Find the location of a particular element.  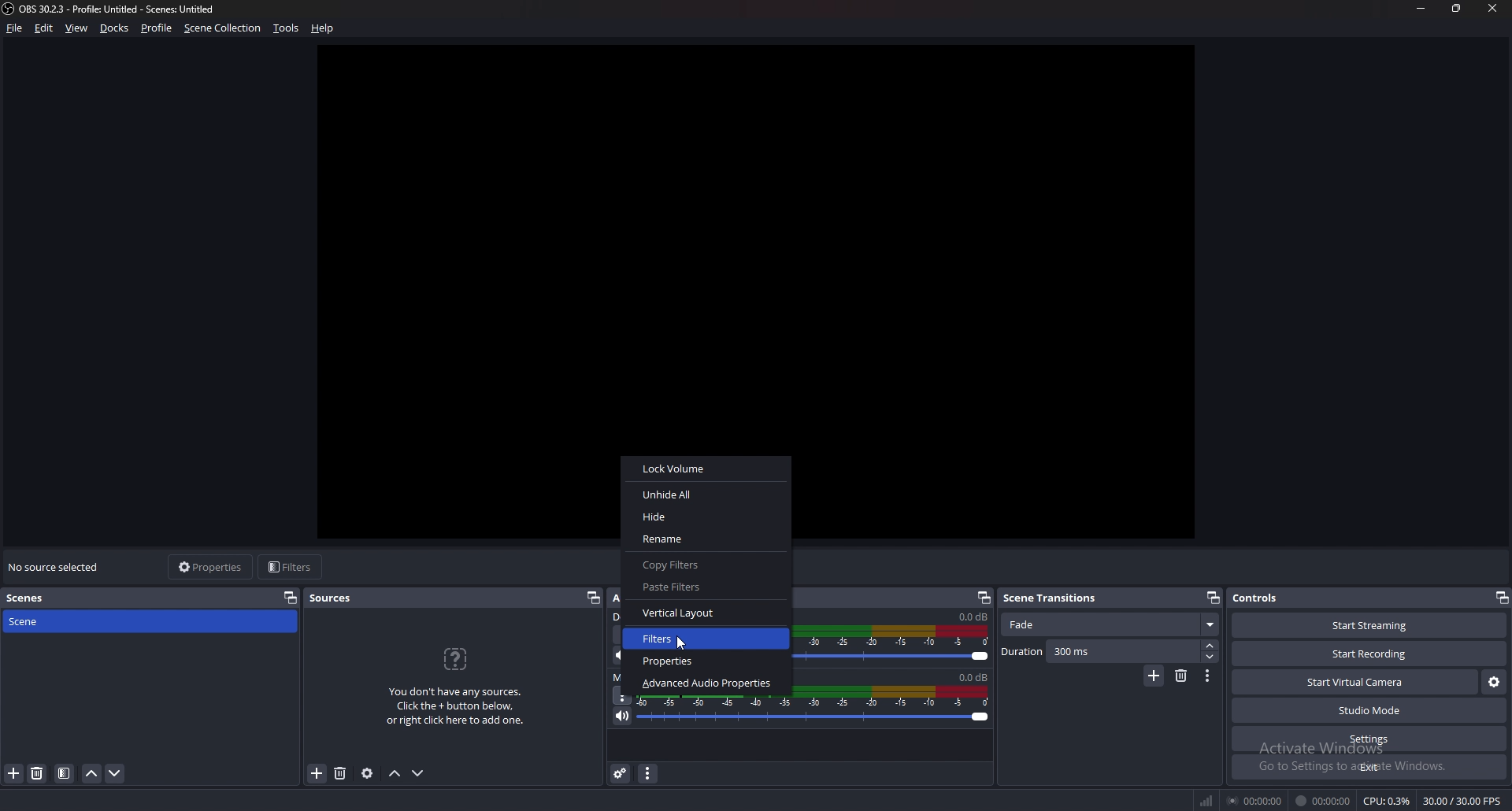

pop out is located at coordinates (1212, 598).